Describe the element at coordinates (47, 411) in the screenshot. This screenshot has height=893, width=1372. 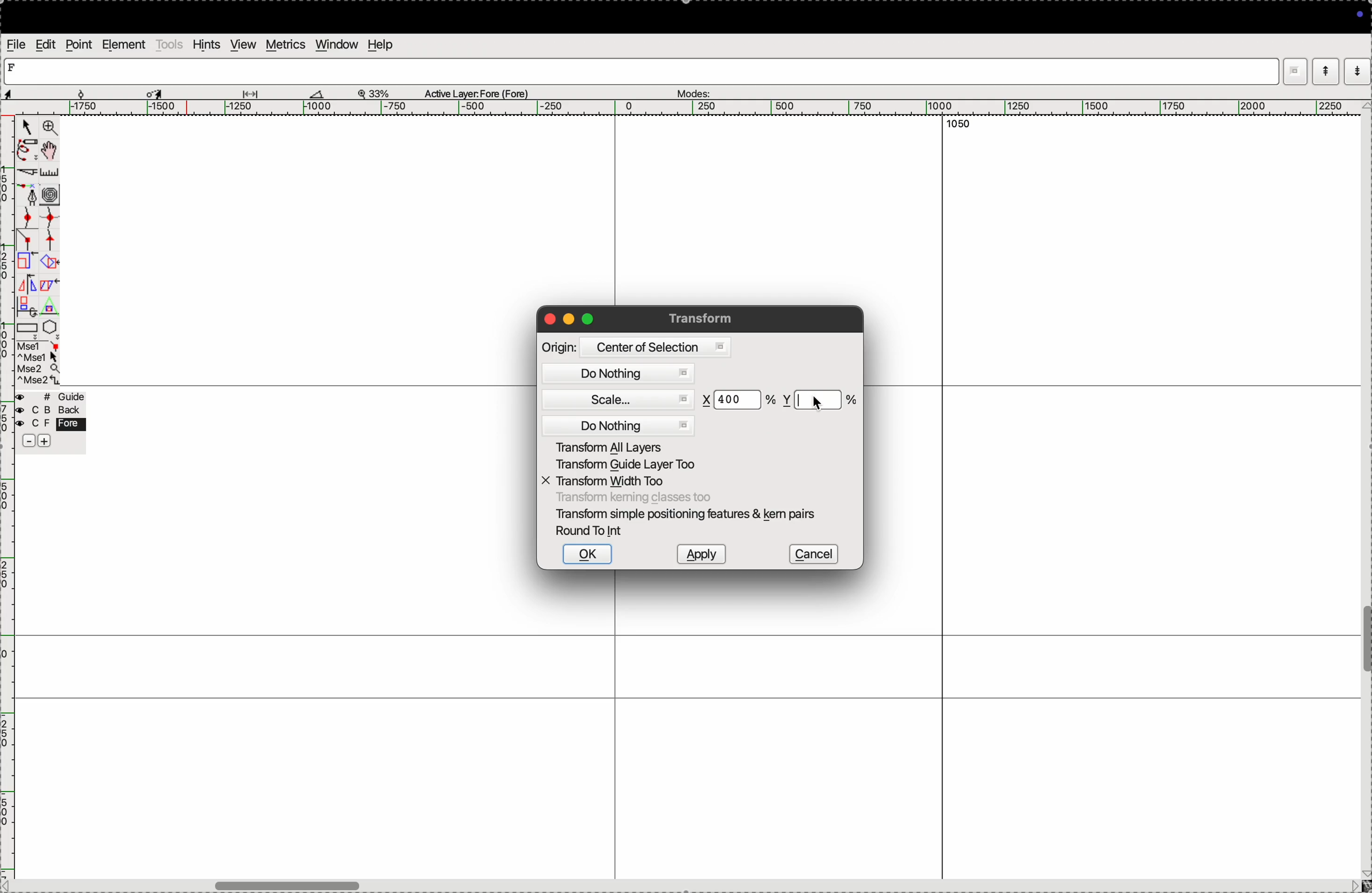
I see `back` at that location.